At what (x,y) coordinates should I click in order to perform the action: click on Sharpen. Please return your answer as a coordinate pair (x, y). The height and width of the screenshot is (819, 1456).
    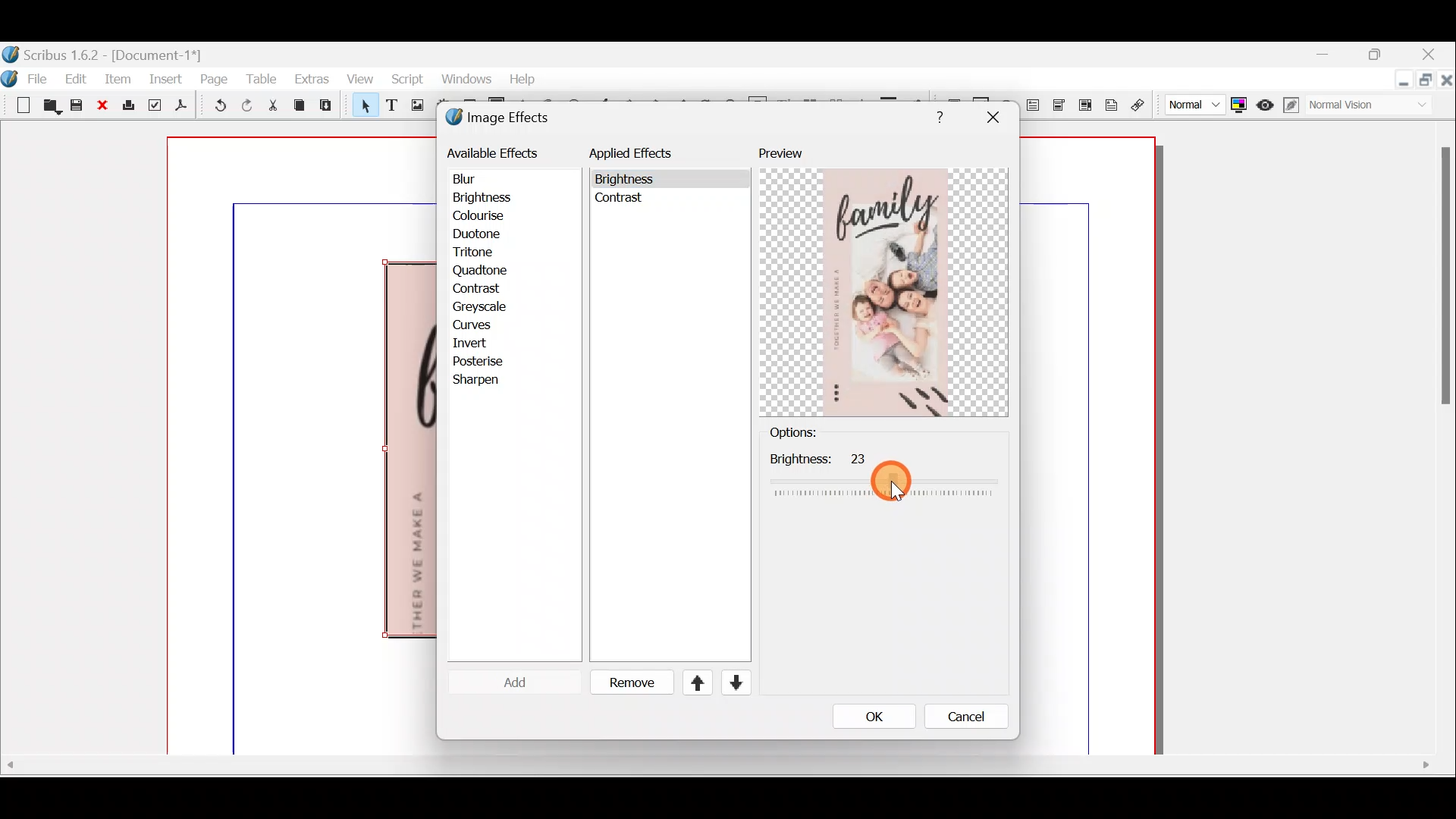
    Looking at the image, I should click on (484, 381).